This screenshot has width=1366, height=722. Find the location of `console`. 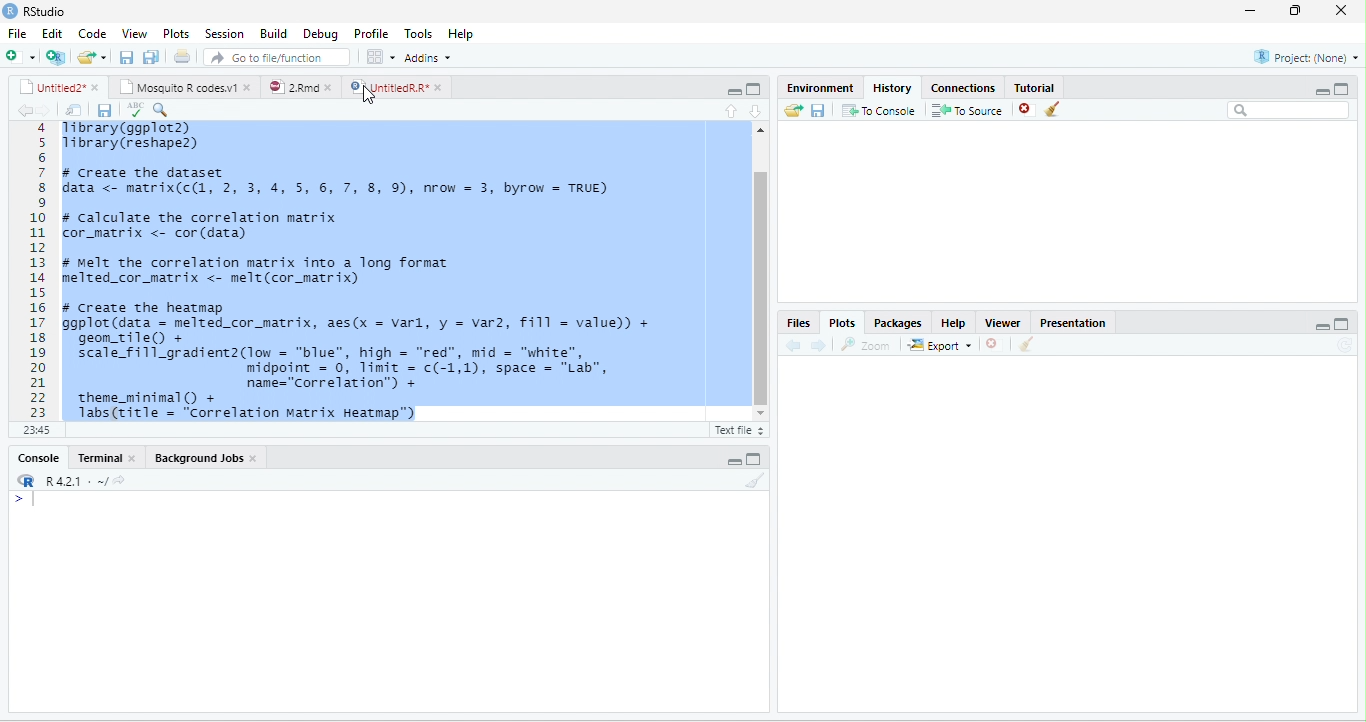

console is located at coordinates (33, 458).